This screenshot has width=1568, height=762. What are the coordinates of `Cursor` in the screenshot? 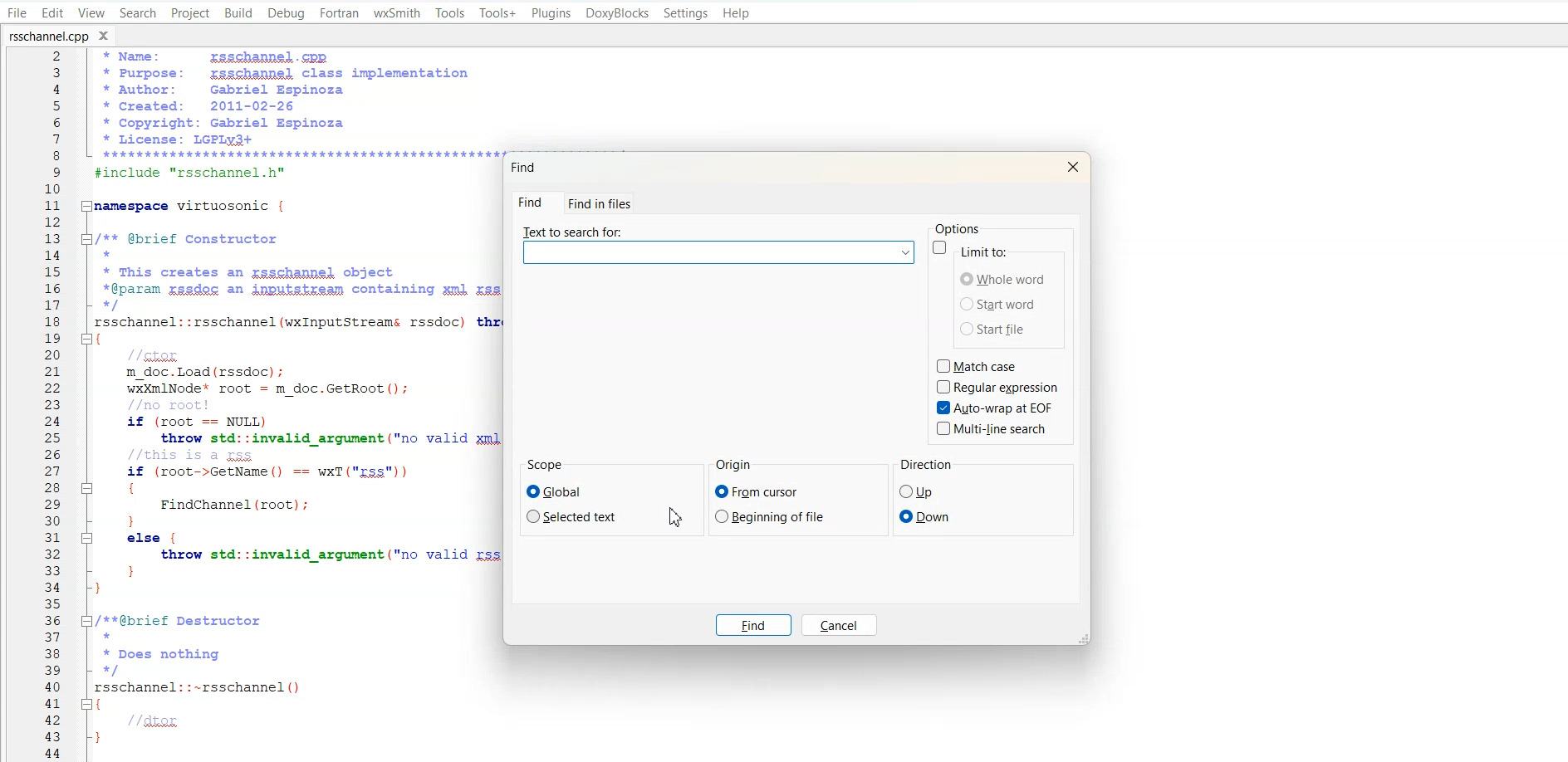 It's located at (676, 518).